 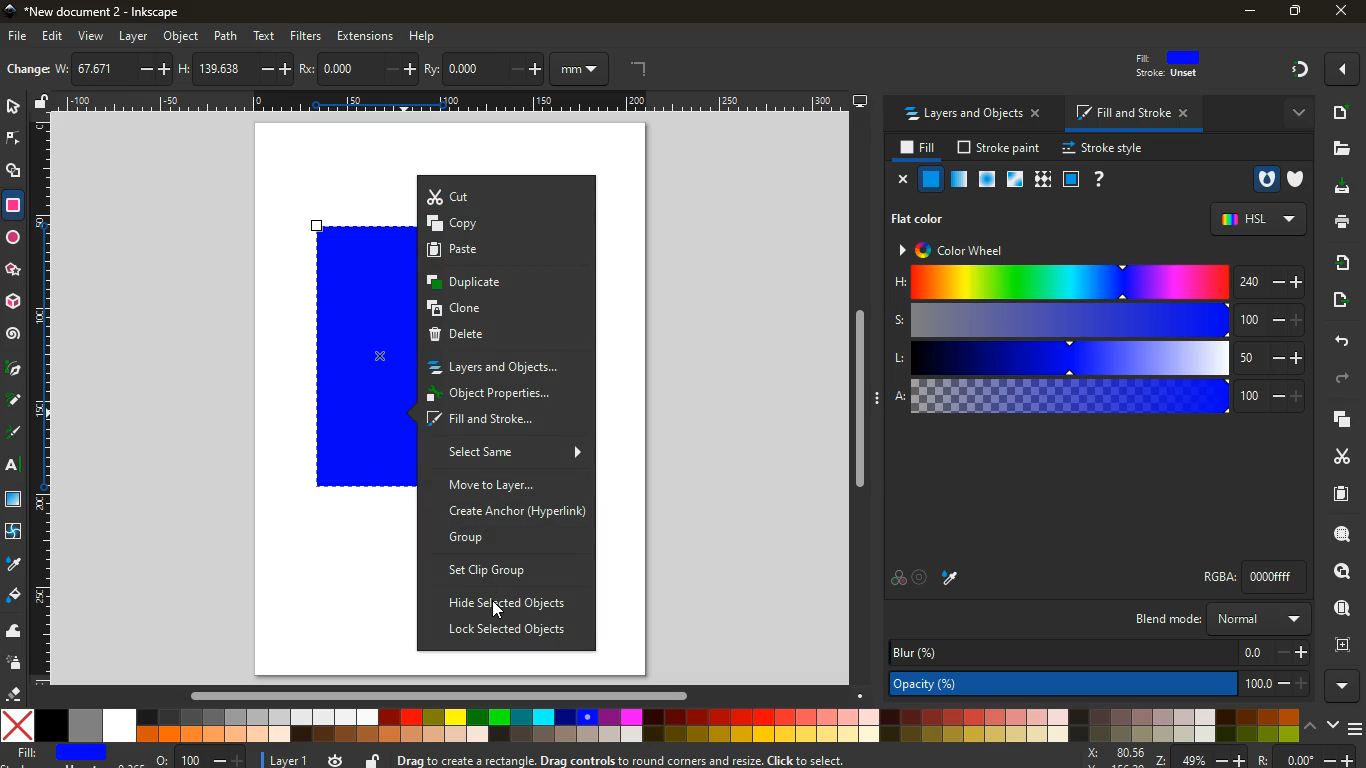 I want to click on opacity, so click(x=1100, y=682).